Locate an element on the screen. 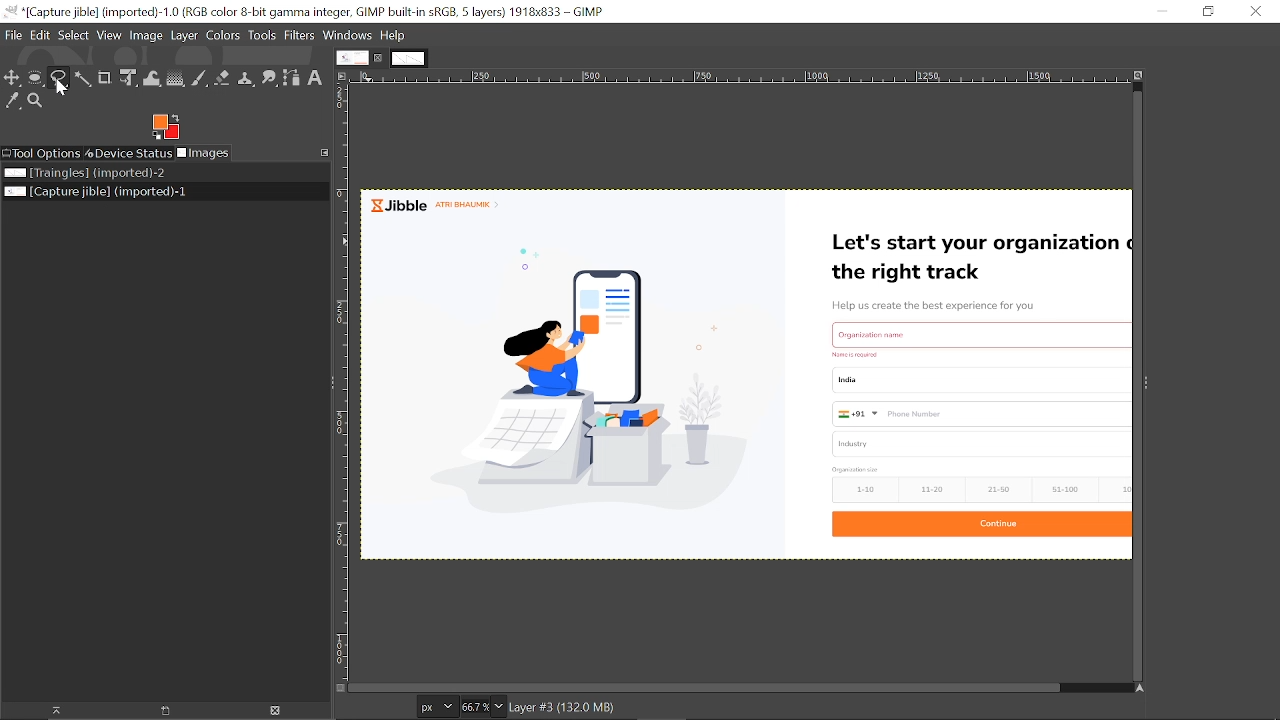  Tools is located at coordinates (262, 36).